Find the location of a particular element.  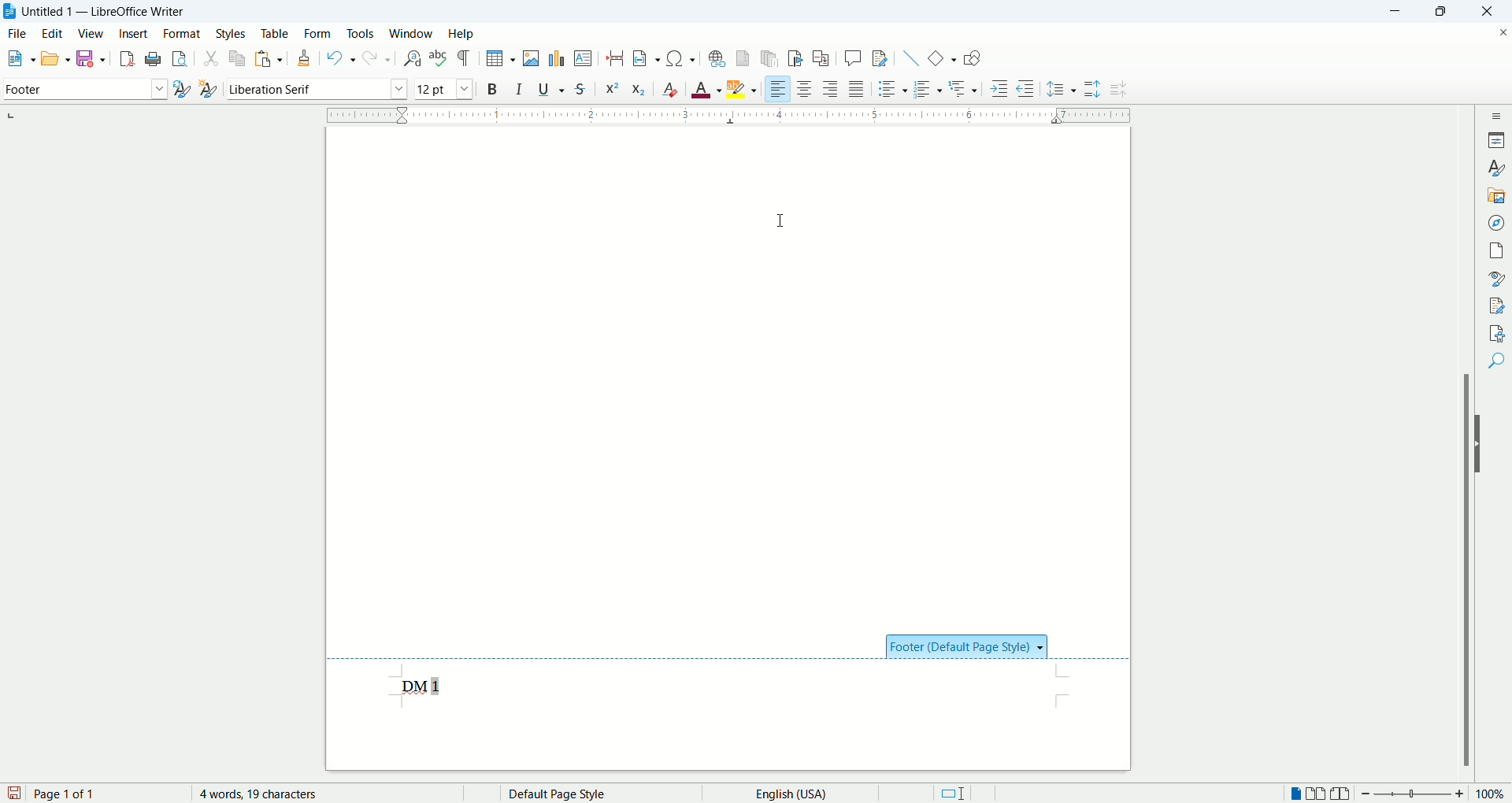

footer text with page number is located at coordinates (422, 686).